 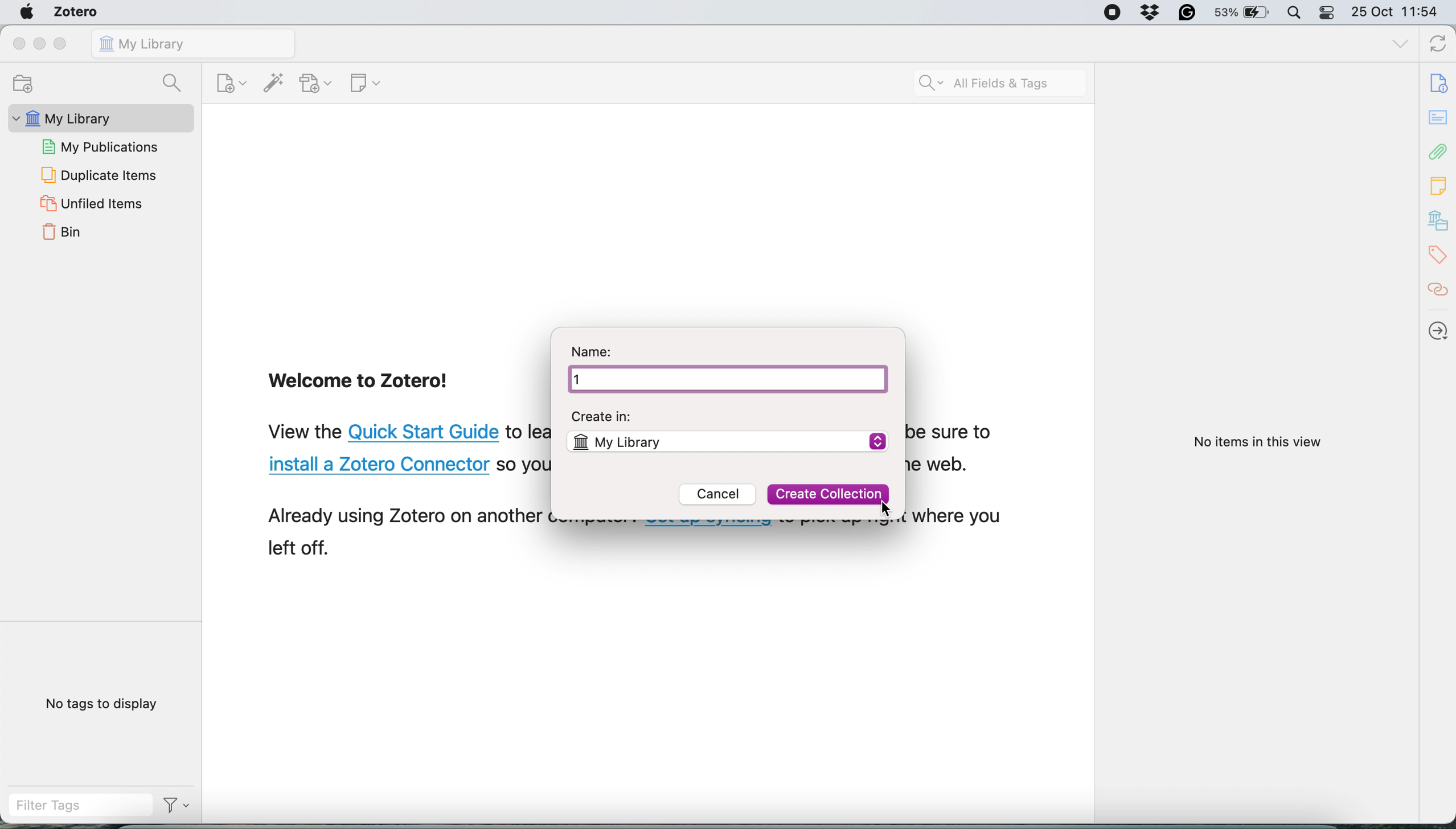 I want to click on Filter Options, so click(x=178, y=809).